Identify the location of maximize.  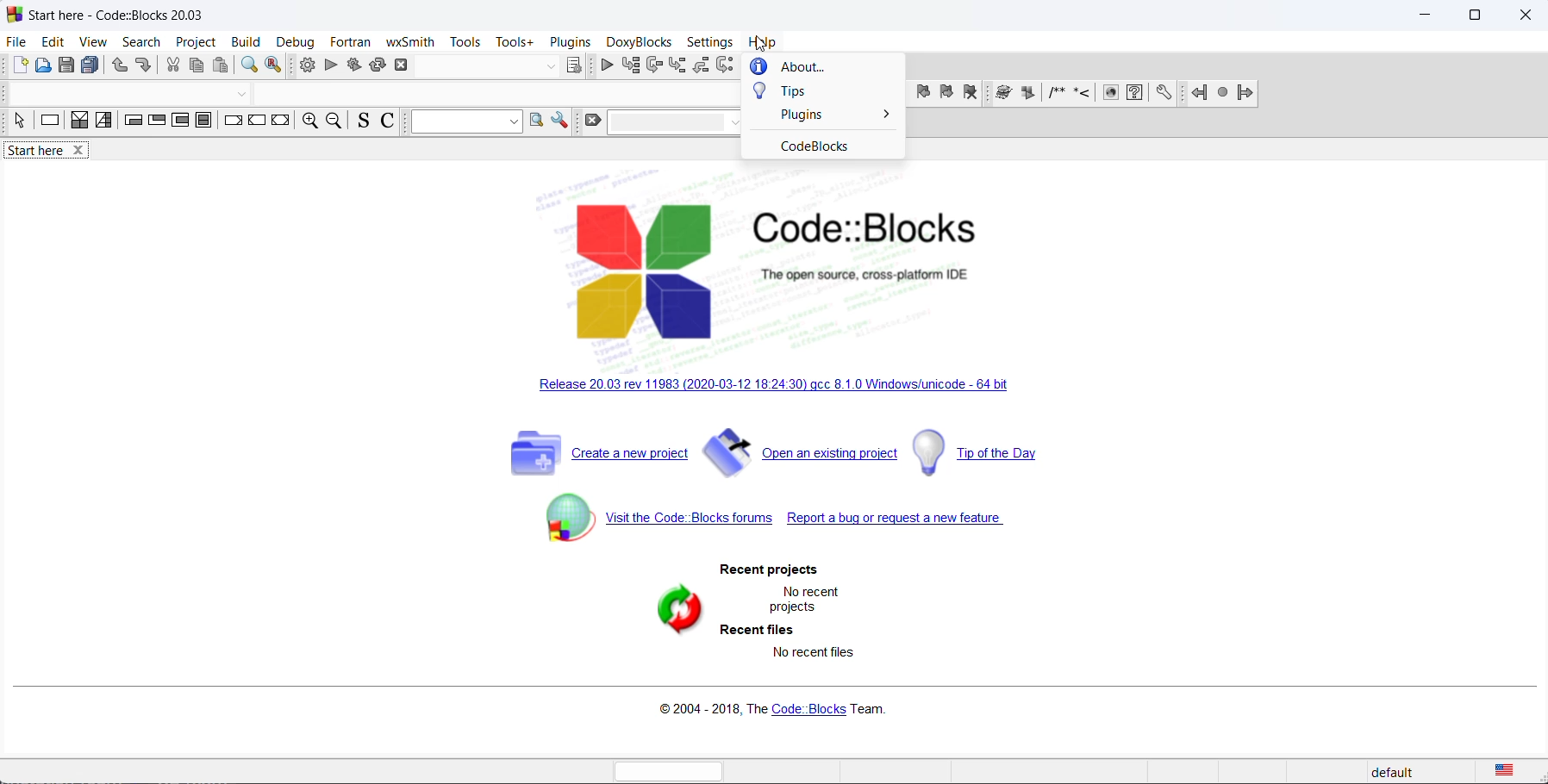
(1478, 14).